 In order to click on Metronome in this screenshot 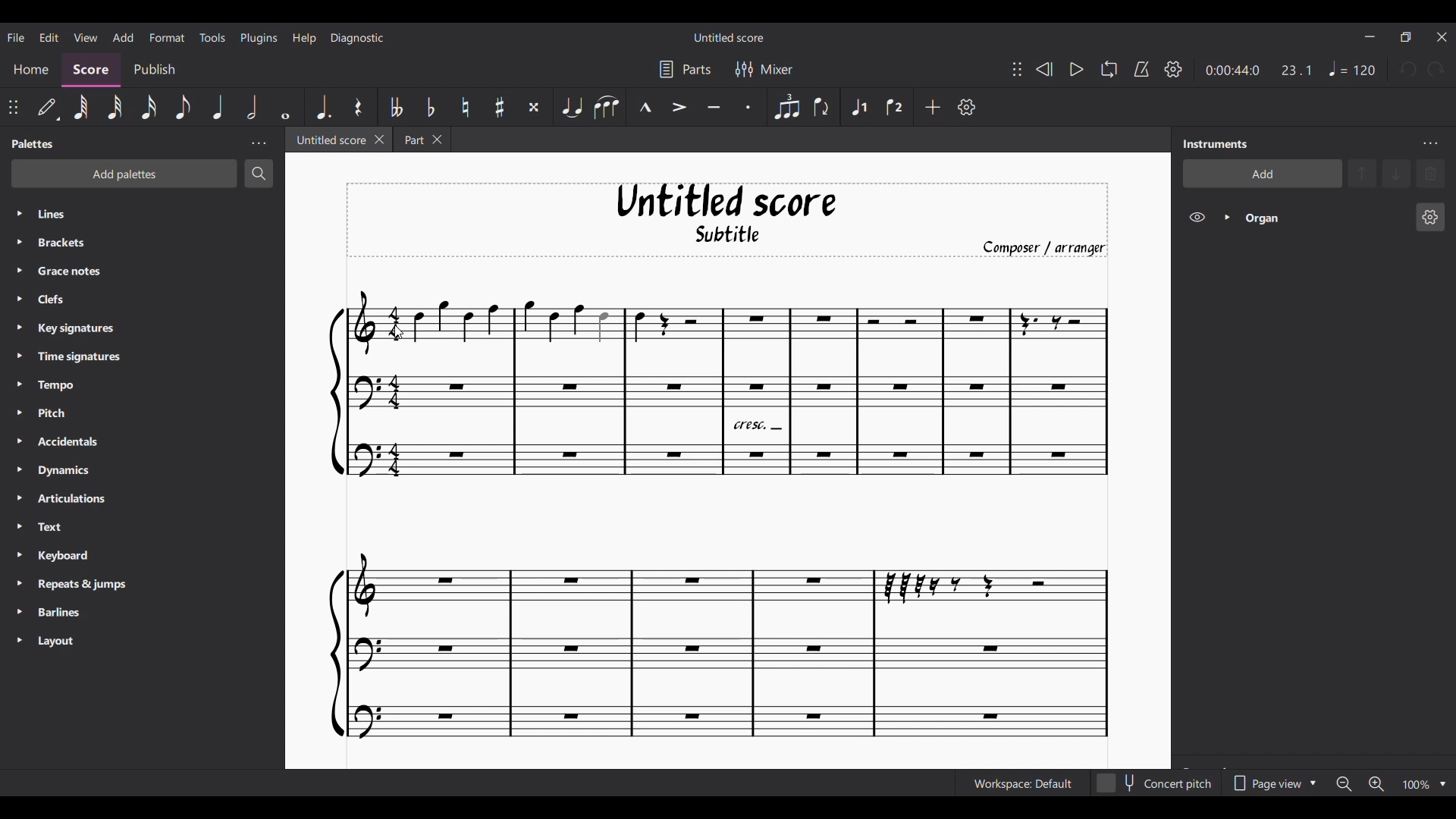, I will do `click(1141, 68)`.